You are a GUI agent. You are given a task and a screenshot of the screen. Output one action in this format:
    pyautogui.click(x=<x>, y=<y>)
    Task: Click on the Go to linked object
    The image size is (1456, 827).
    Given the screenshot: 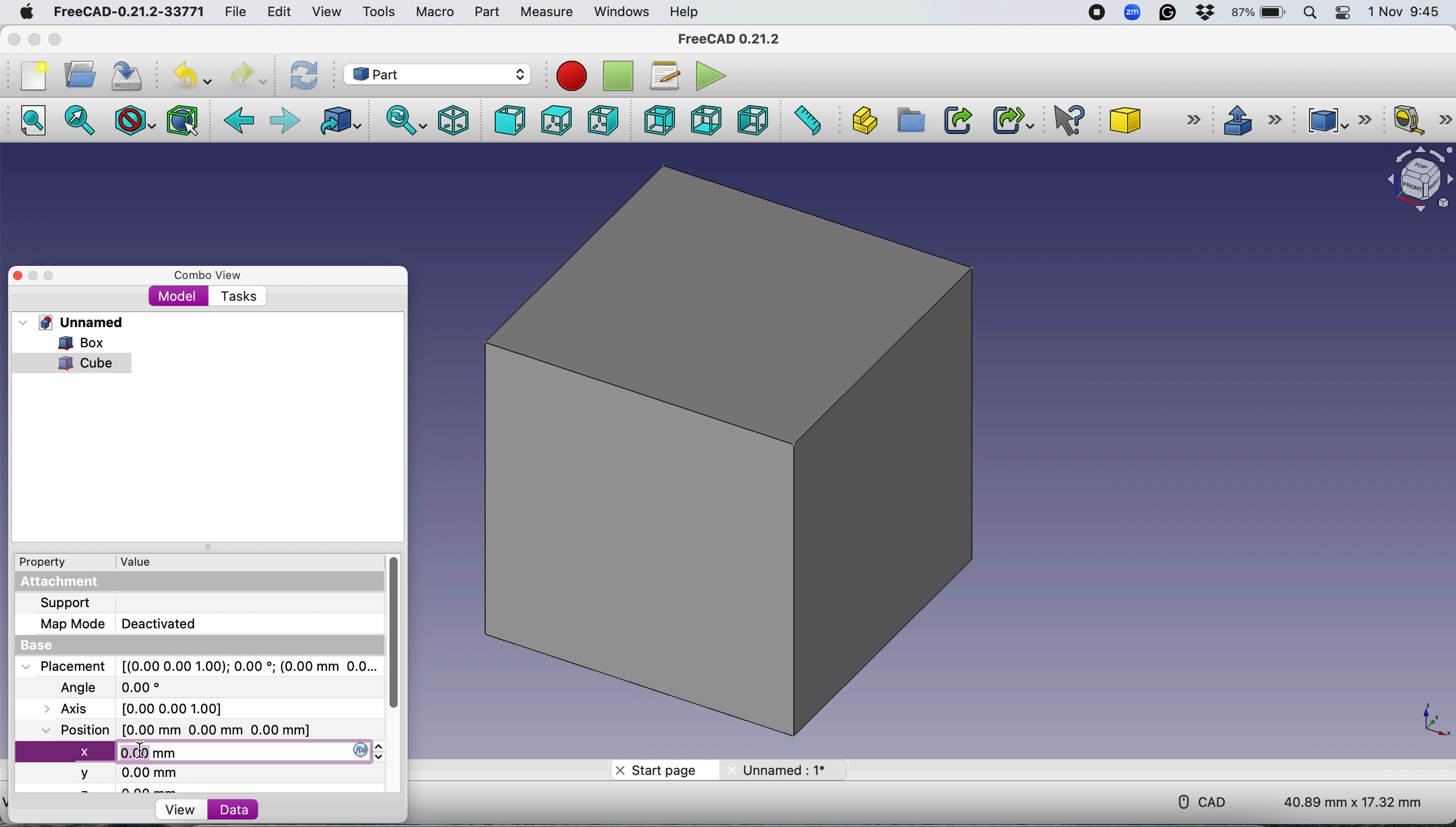 What is the action you would take?
    pyautogui.click(x=343, y=121)
    